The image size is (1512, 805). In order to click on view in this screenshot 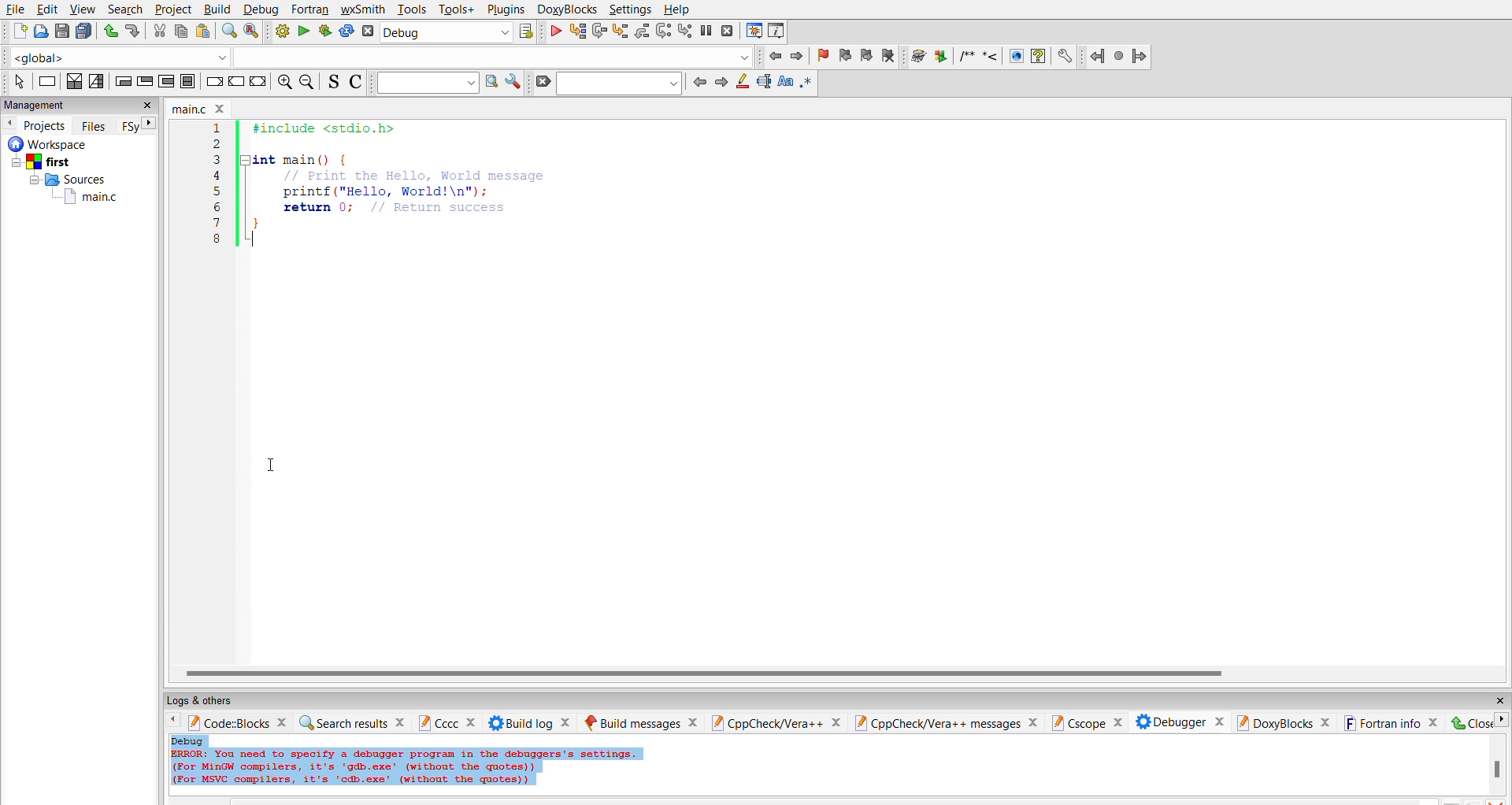, I will do `click(81, 9)`.